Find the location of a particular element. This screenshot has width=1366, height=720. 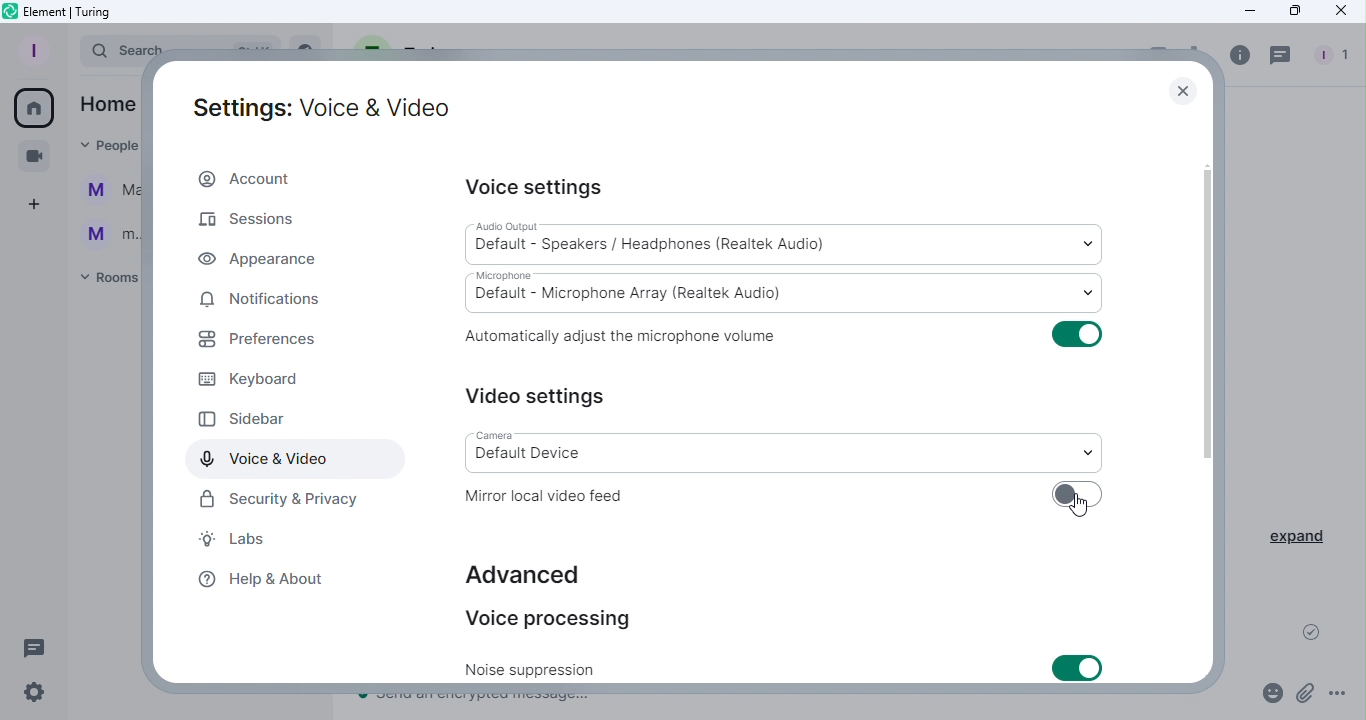

Close is located at coordinates (1340, 12).